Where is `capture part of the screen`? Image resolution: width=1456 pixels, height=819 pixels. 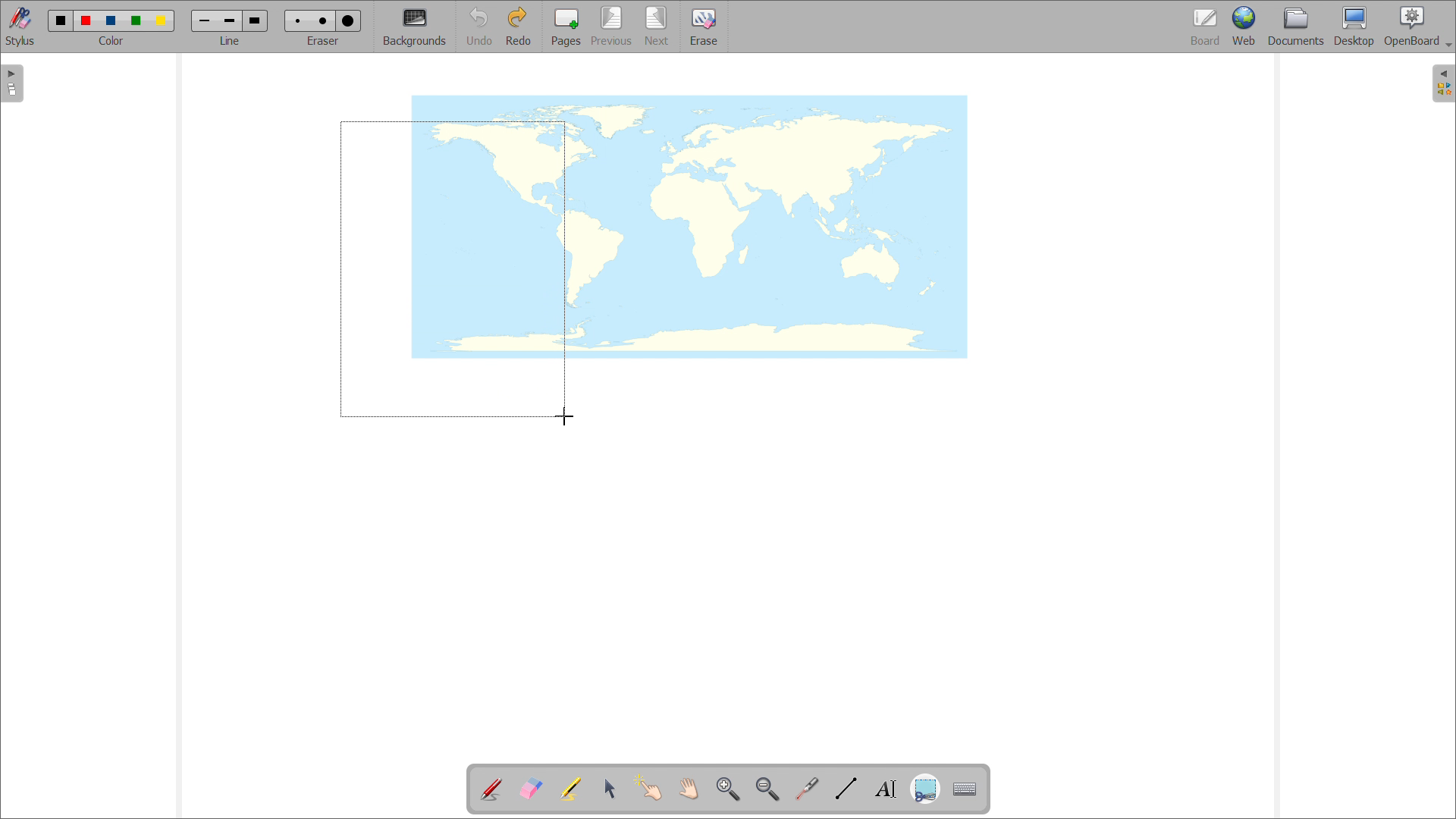 capture part of the screen is located at coordinates (925, 790).